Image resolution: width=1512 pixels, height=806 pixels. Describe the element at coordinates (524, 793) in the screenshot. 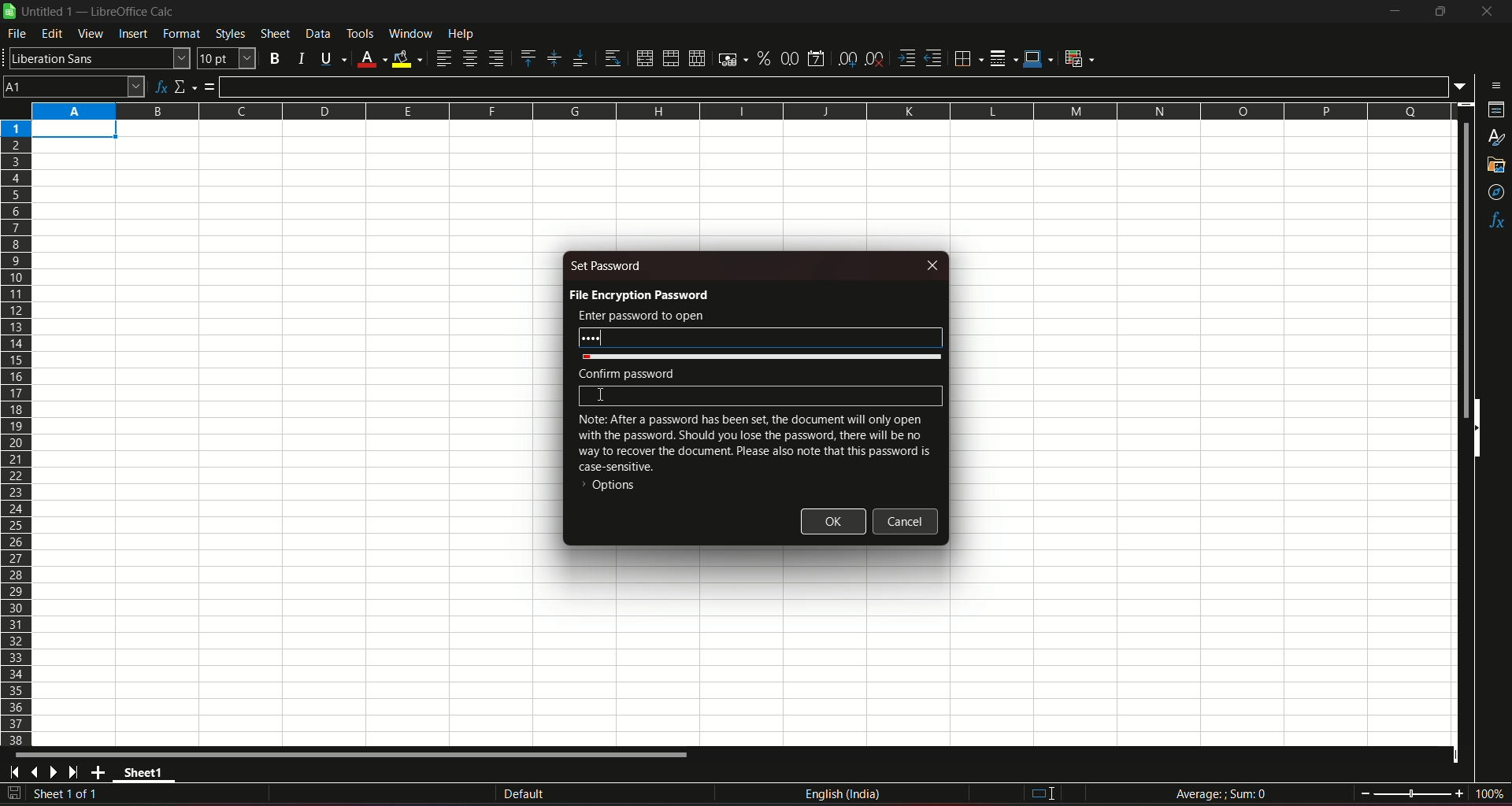

I see `default` at that location.